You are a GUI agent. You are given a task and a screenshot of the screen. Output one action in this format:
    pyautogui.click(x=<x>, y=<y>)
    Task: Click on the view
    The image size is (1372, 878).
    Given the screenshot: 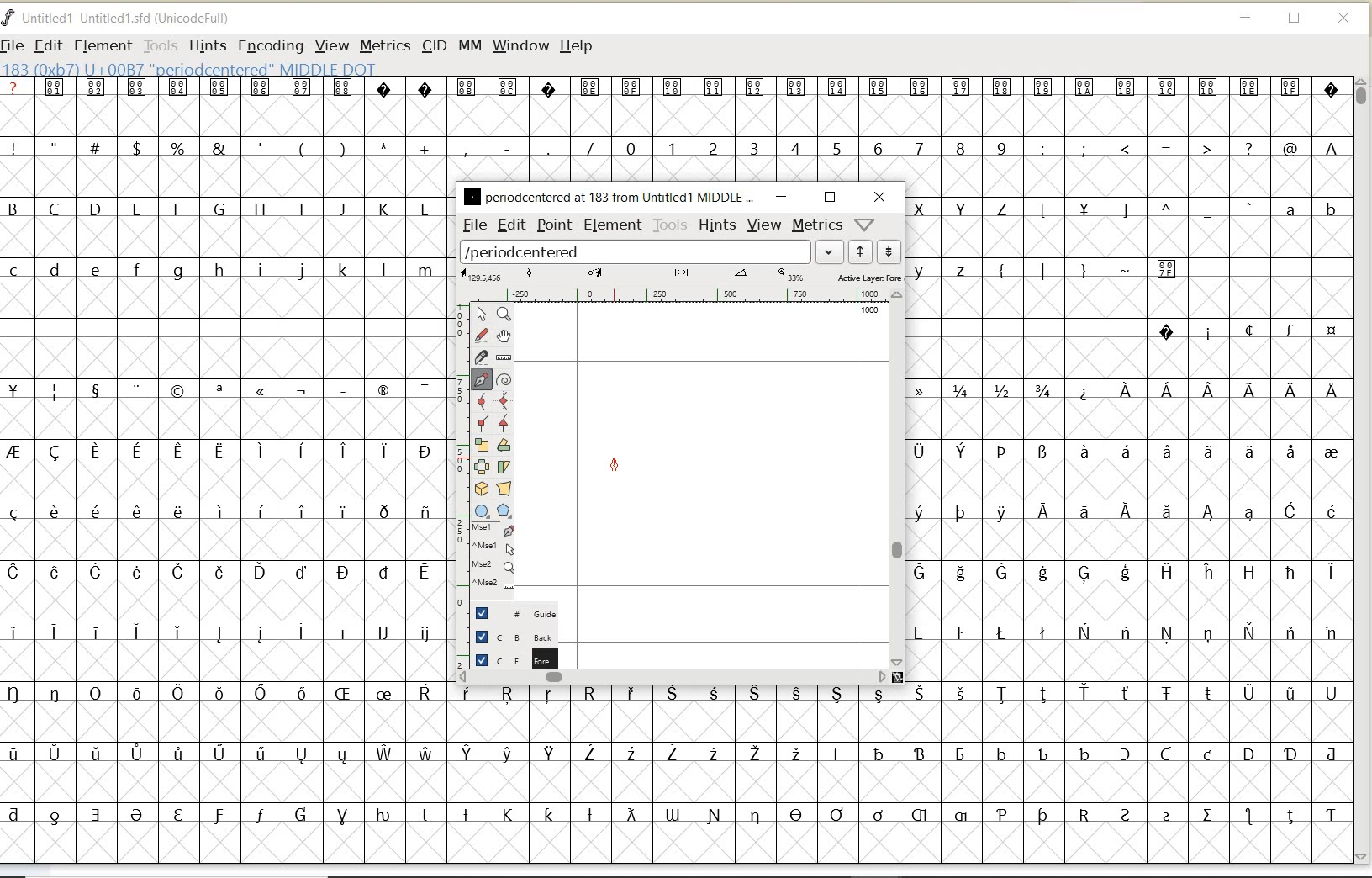 What is the action you would take?
    pyautogui.click(x=765, y=225)
    